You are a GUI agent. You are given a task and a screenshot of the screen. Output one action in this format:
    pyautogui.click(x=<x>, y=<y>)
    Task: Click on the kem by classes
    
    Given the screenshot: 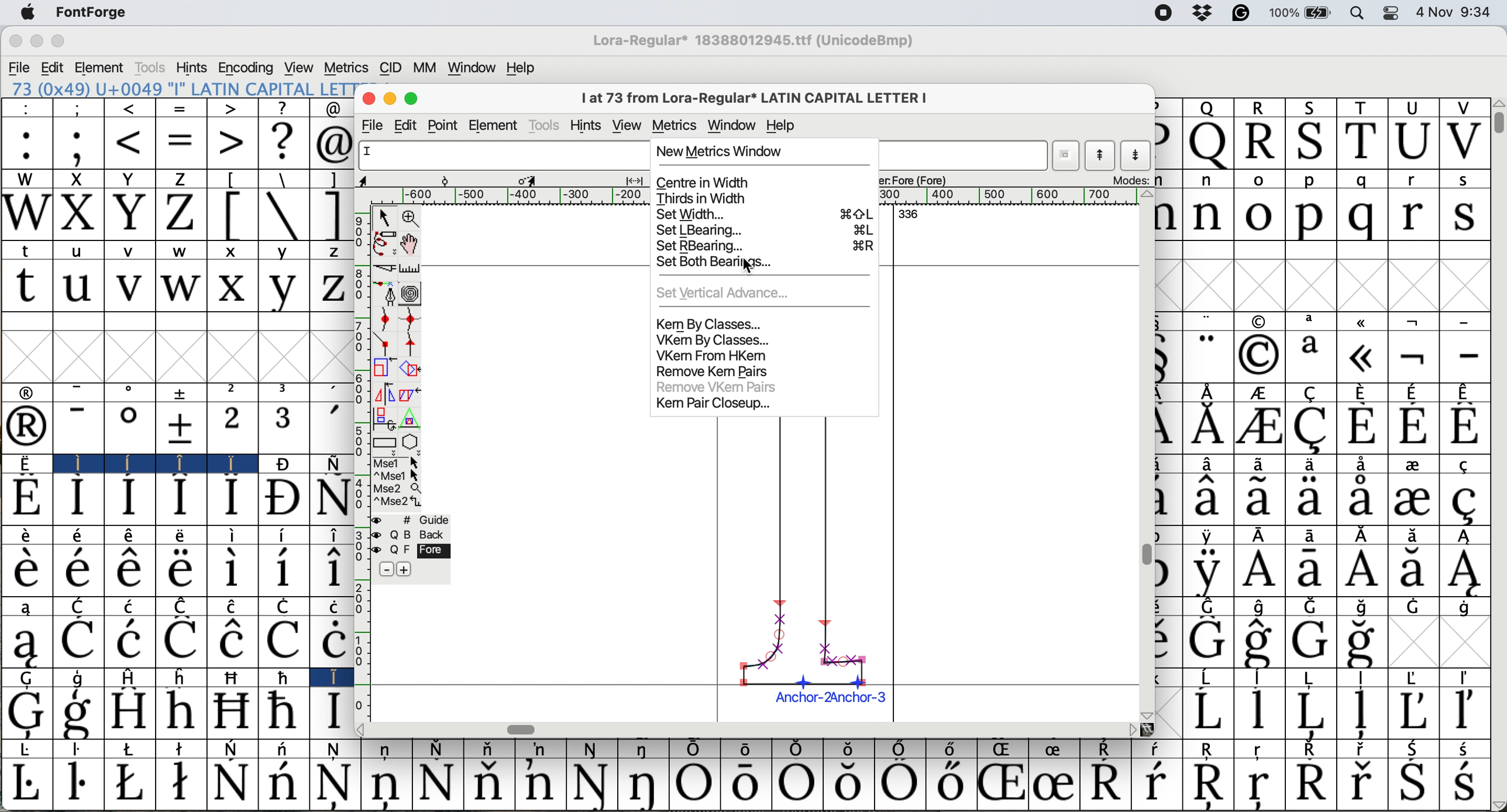 What is the action you would take?
    pyautogui.click(x=714, y=324)
    